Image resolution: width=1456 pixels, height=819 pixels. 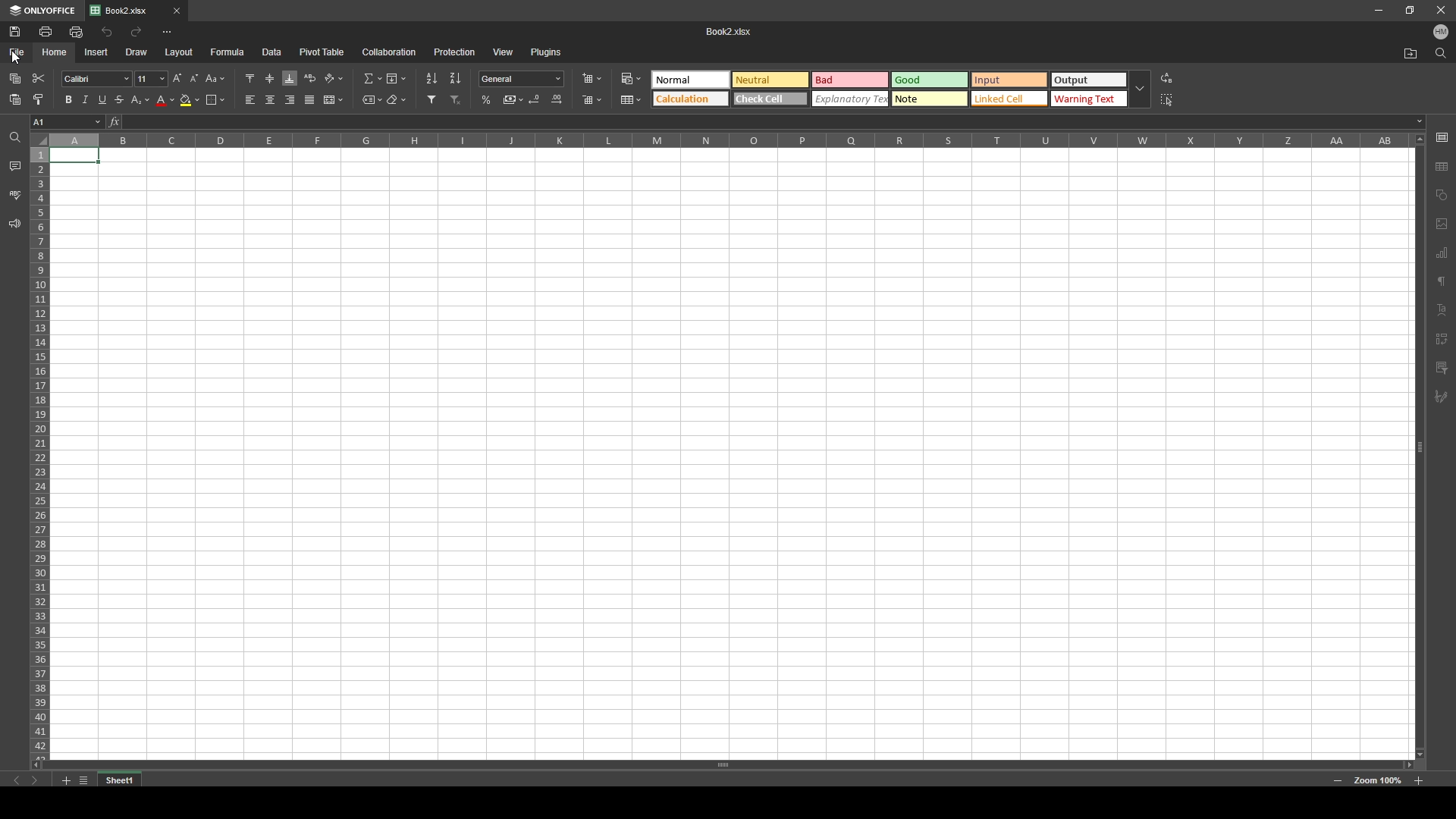 What do you see at coordinates (50, 11) in the screenshot?
I see `onlyoffice` at bounding box center [50, 11].